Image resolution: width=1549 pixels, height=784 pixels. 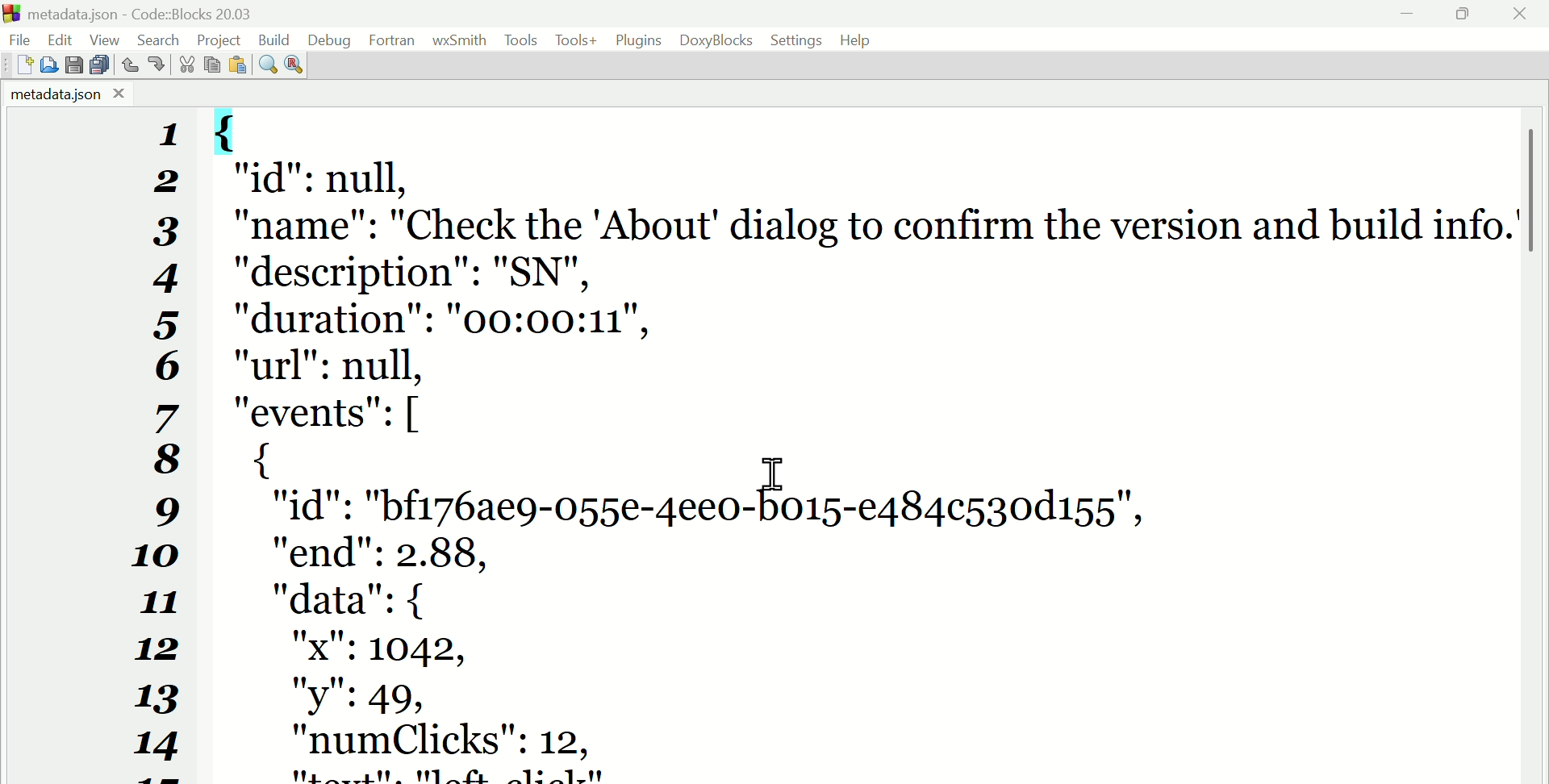 What do you see at coordinates (19, 67) in the screenshot?
I see `New` at bounding box center [19, 67].